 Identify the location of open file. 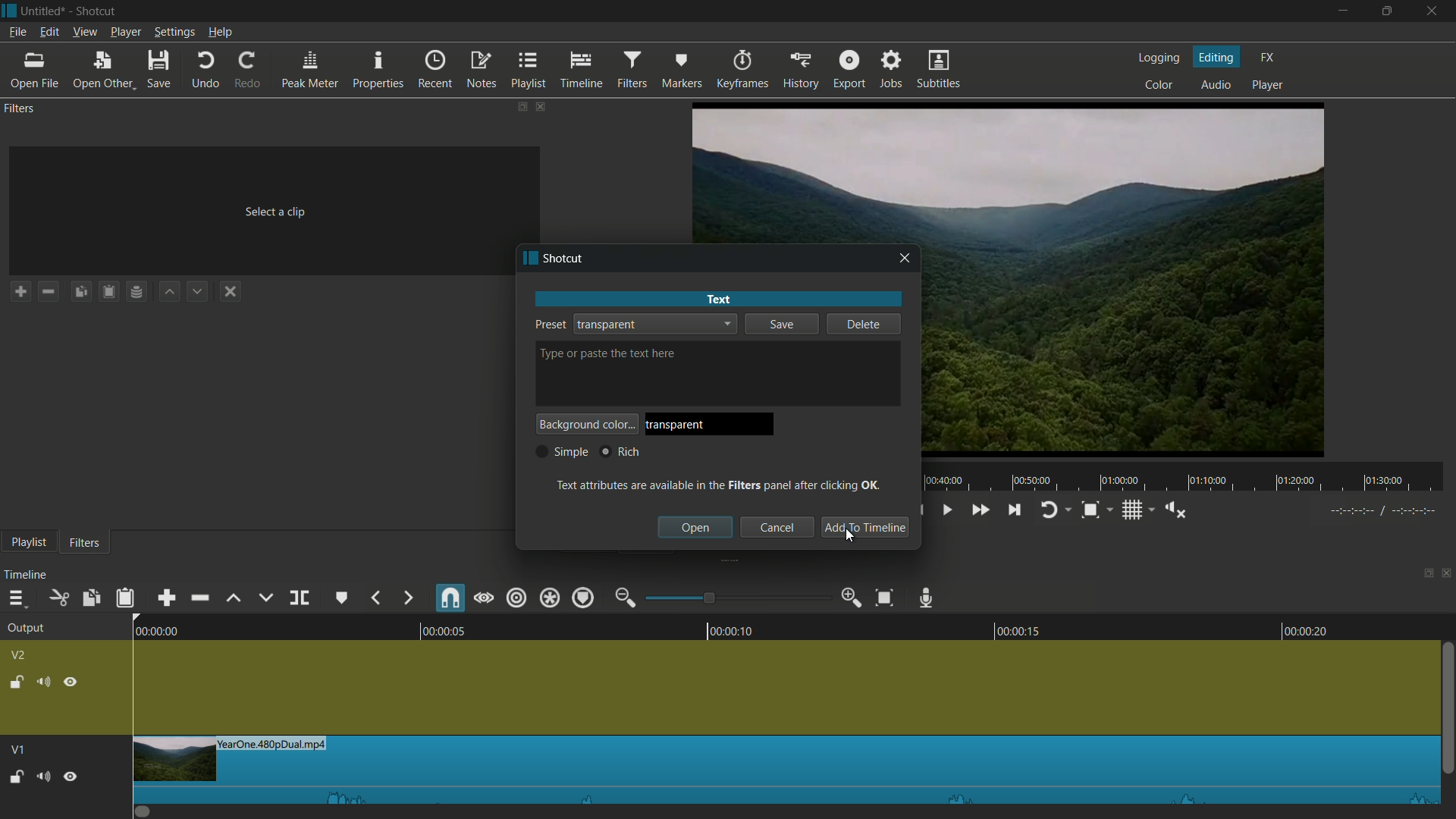
(33, 71).